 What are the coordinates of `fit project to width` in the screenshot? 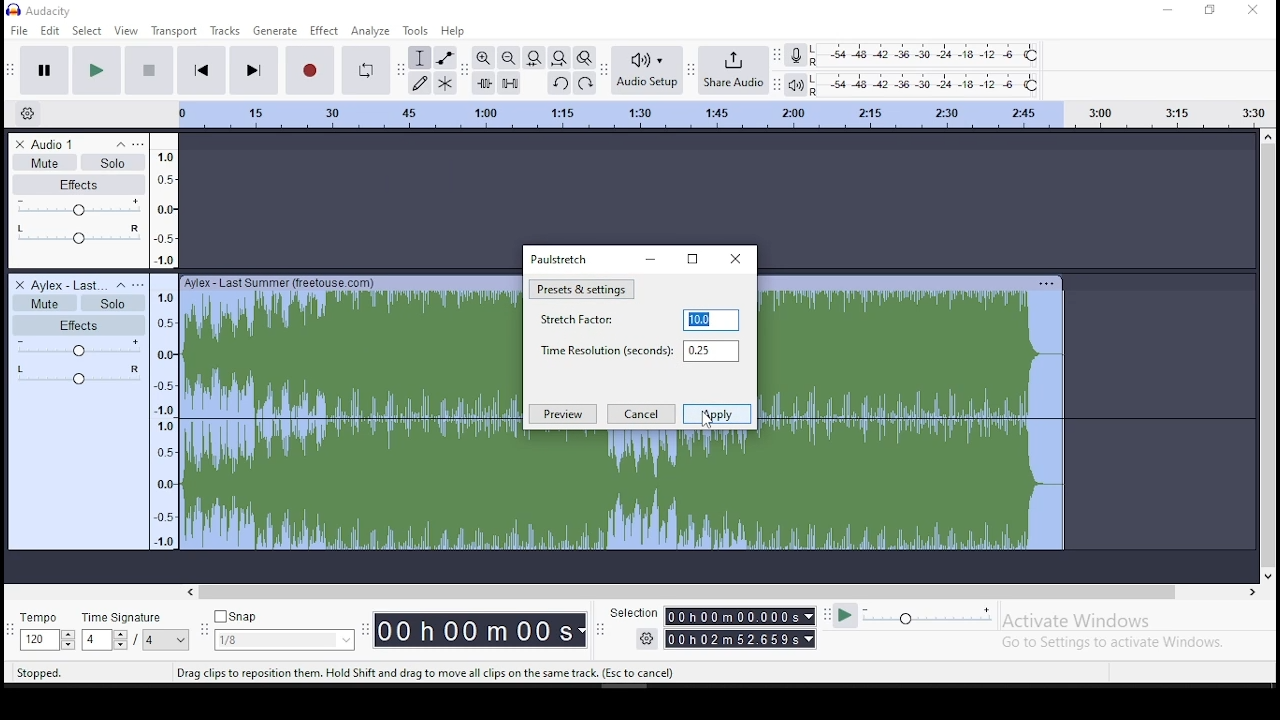 It's located at (559, 57).